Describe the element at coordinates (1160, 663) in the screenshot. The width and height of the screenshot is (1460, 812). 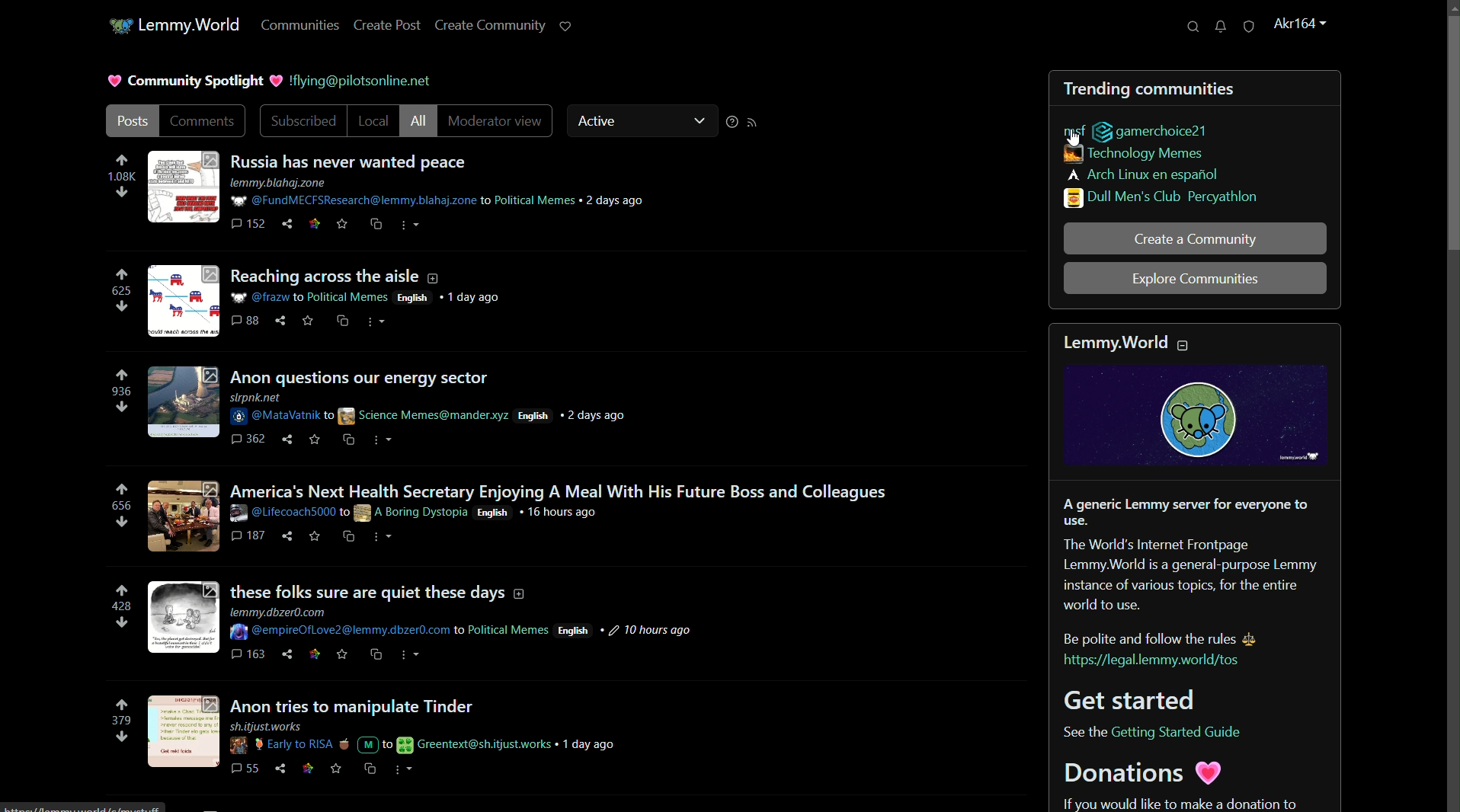
I see `link` at that location.